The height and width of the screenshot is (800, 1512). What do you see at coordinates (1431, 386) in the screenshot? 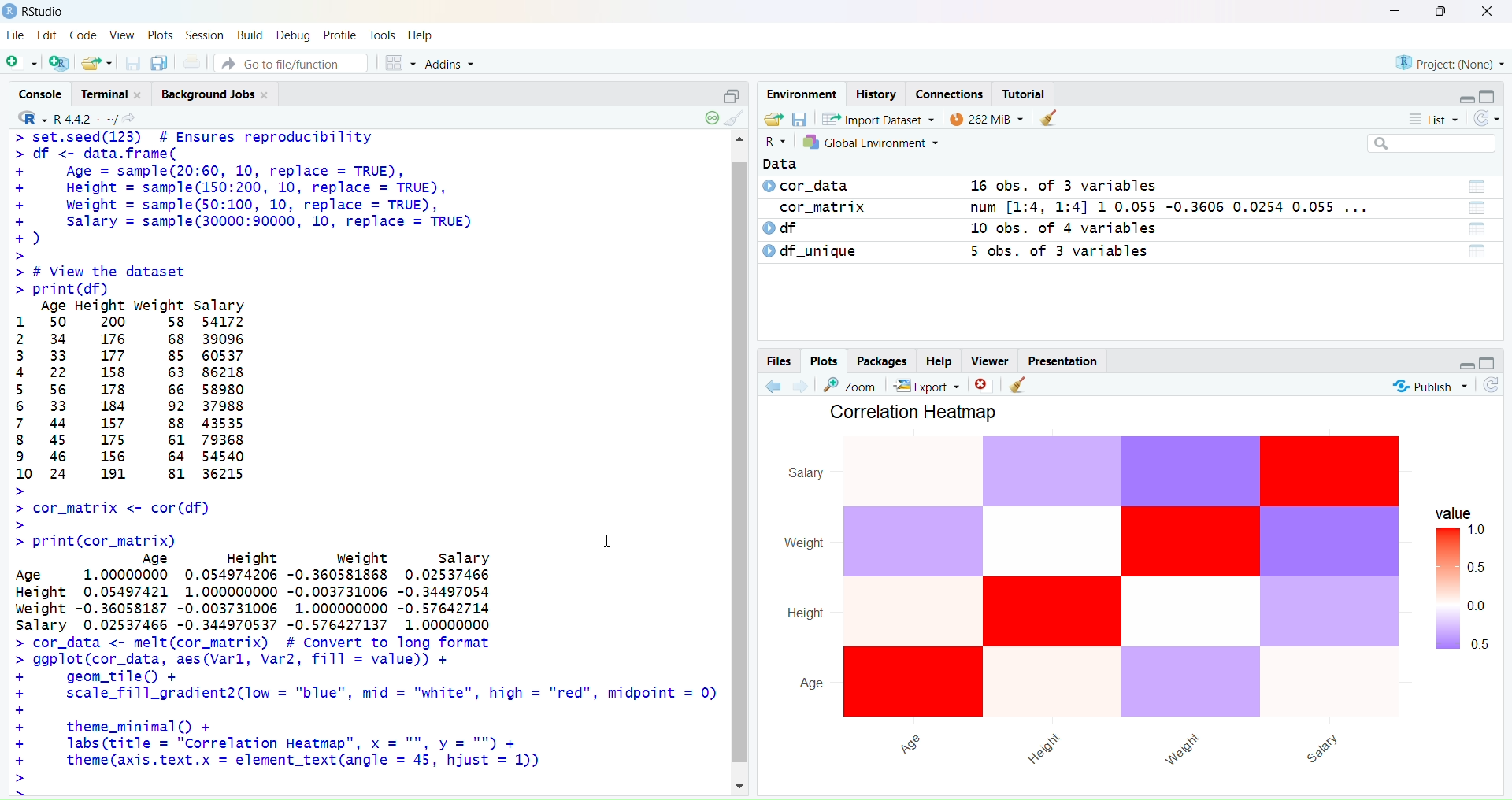
I see `Publish` at bounding box center [1431, 386].